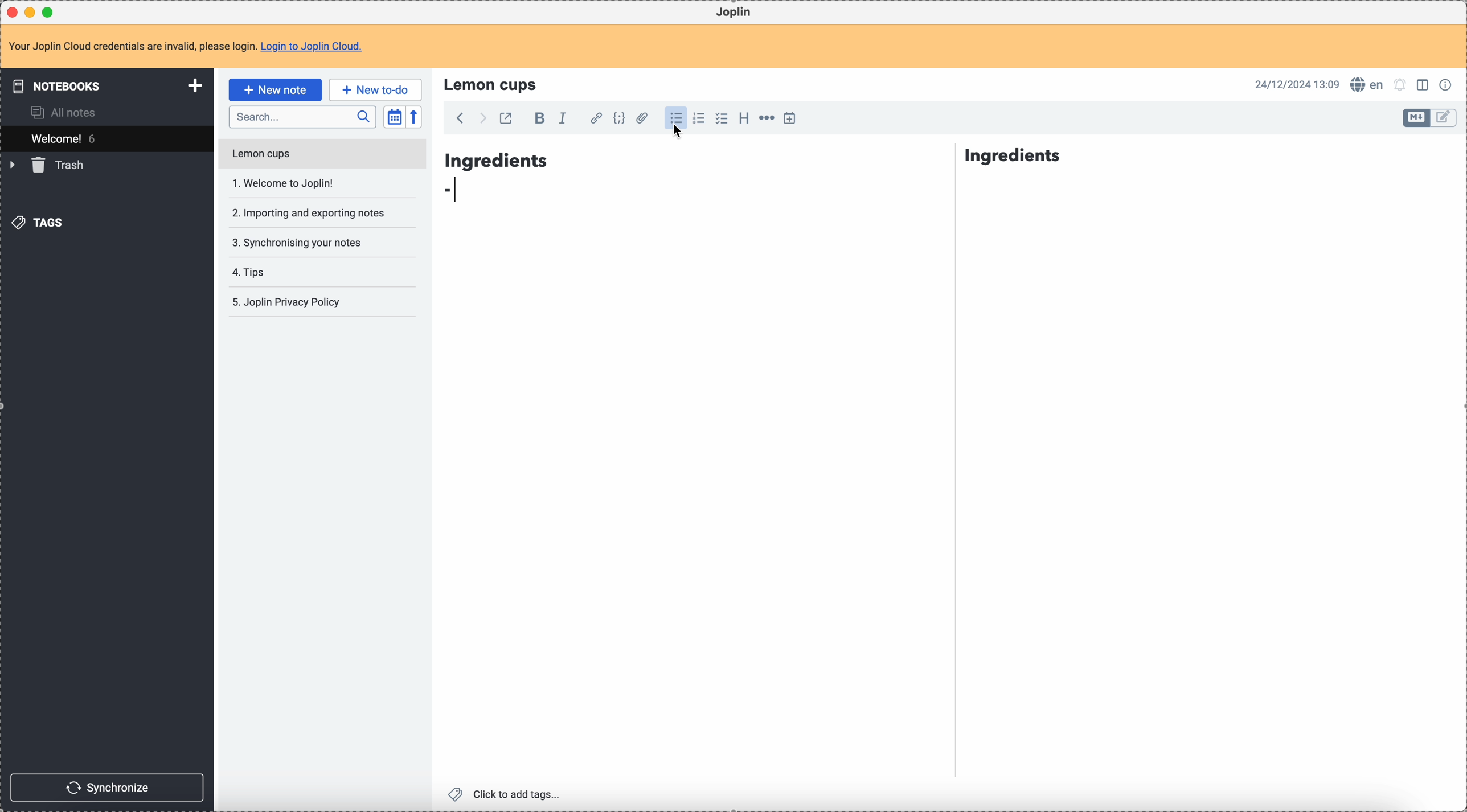 This screenshot has height=812, width=1467. Describe the element at coordinates (1448, 84) in the screenshot. I see `note properties` at that location.